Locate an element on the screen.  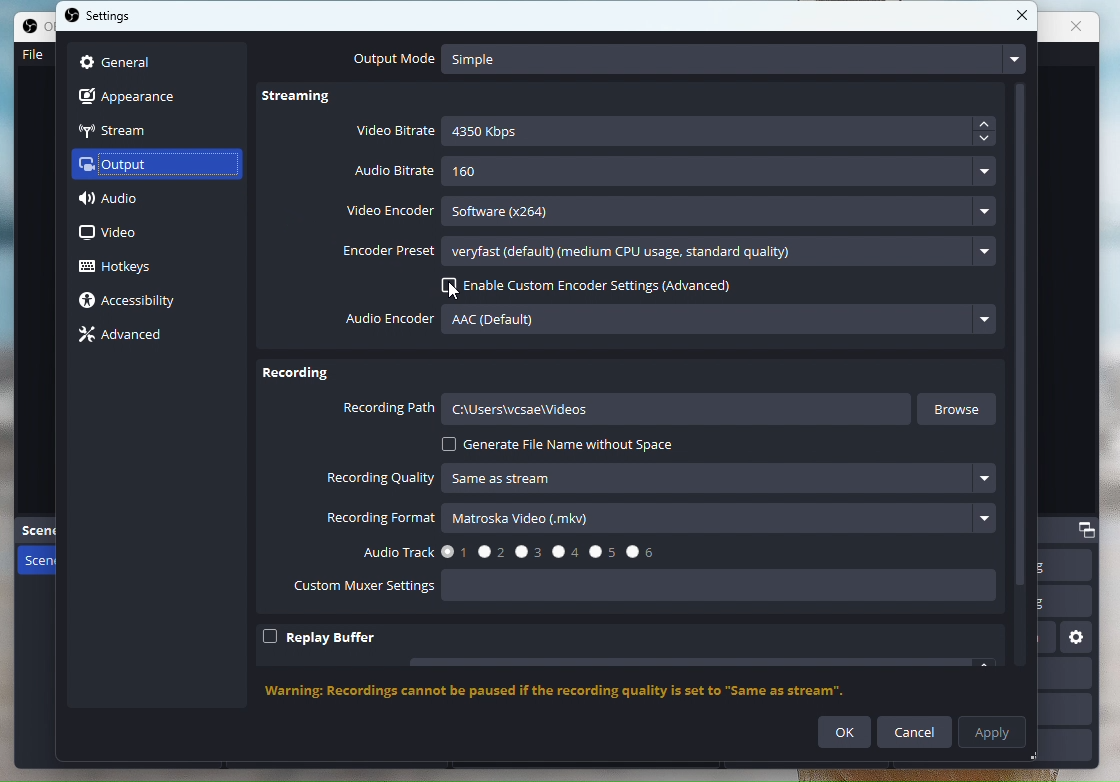
Hotkeys is located at coordinates (122, 269).